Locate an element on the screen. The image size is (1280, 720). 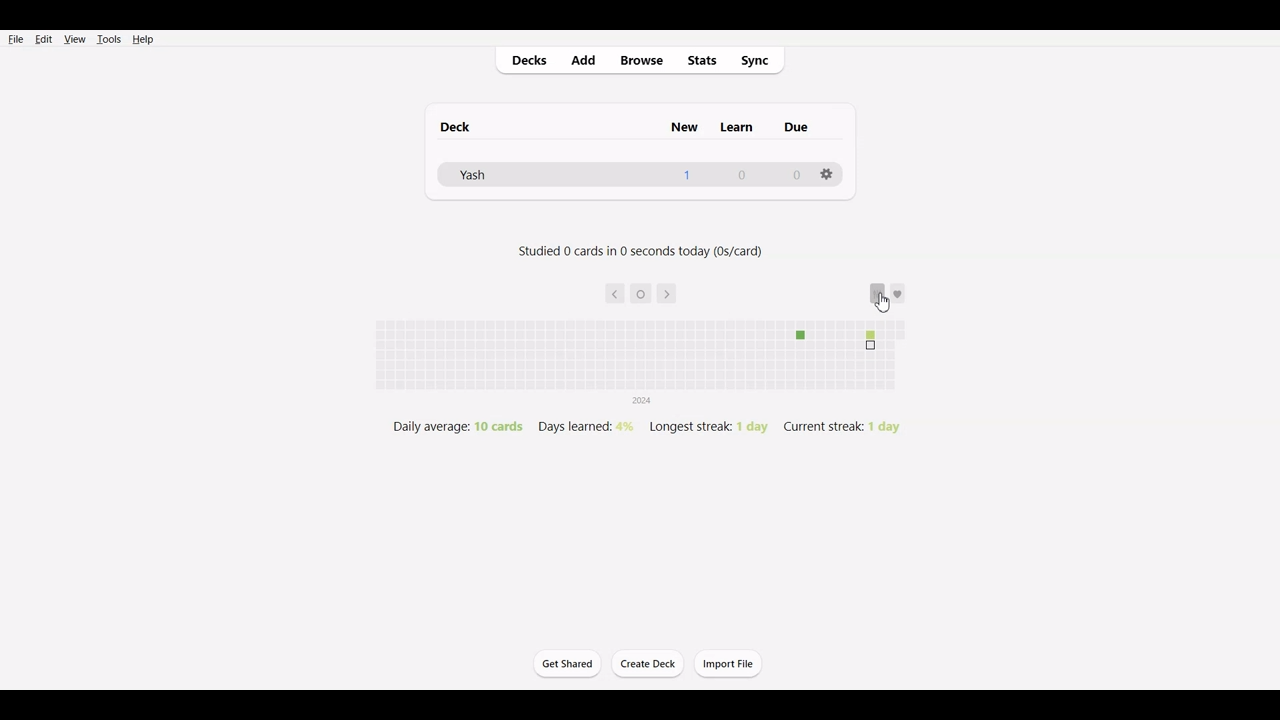
File review is located at coordinates (637, 356).